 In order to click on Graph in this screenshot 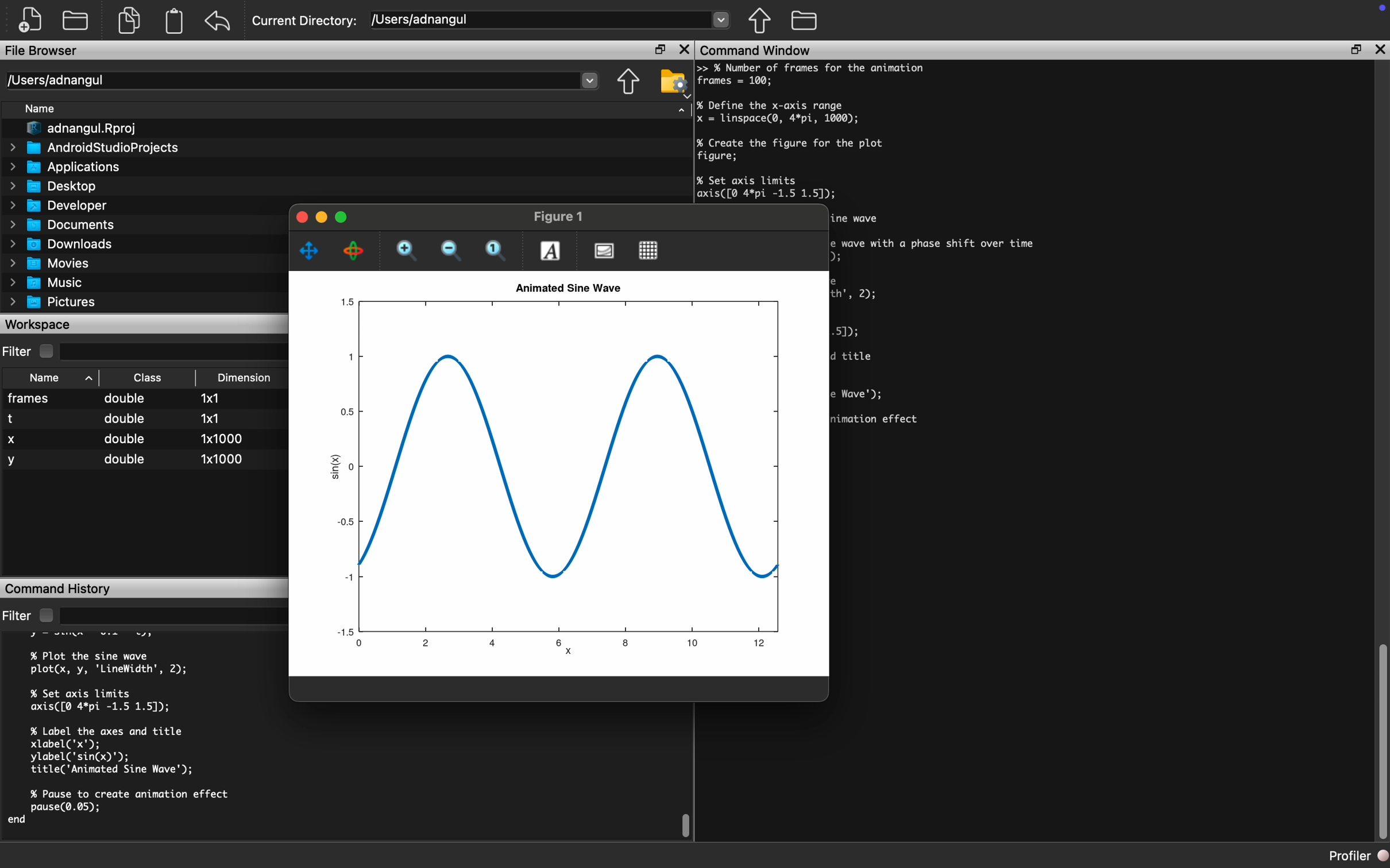, I will do `click(563, 479)`.